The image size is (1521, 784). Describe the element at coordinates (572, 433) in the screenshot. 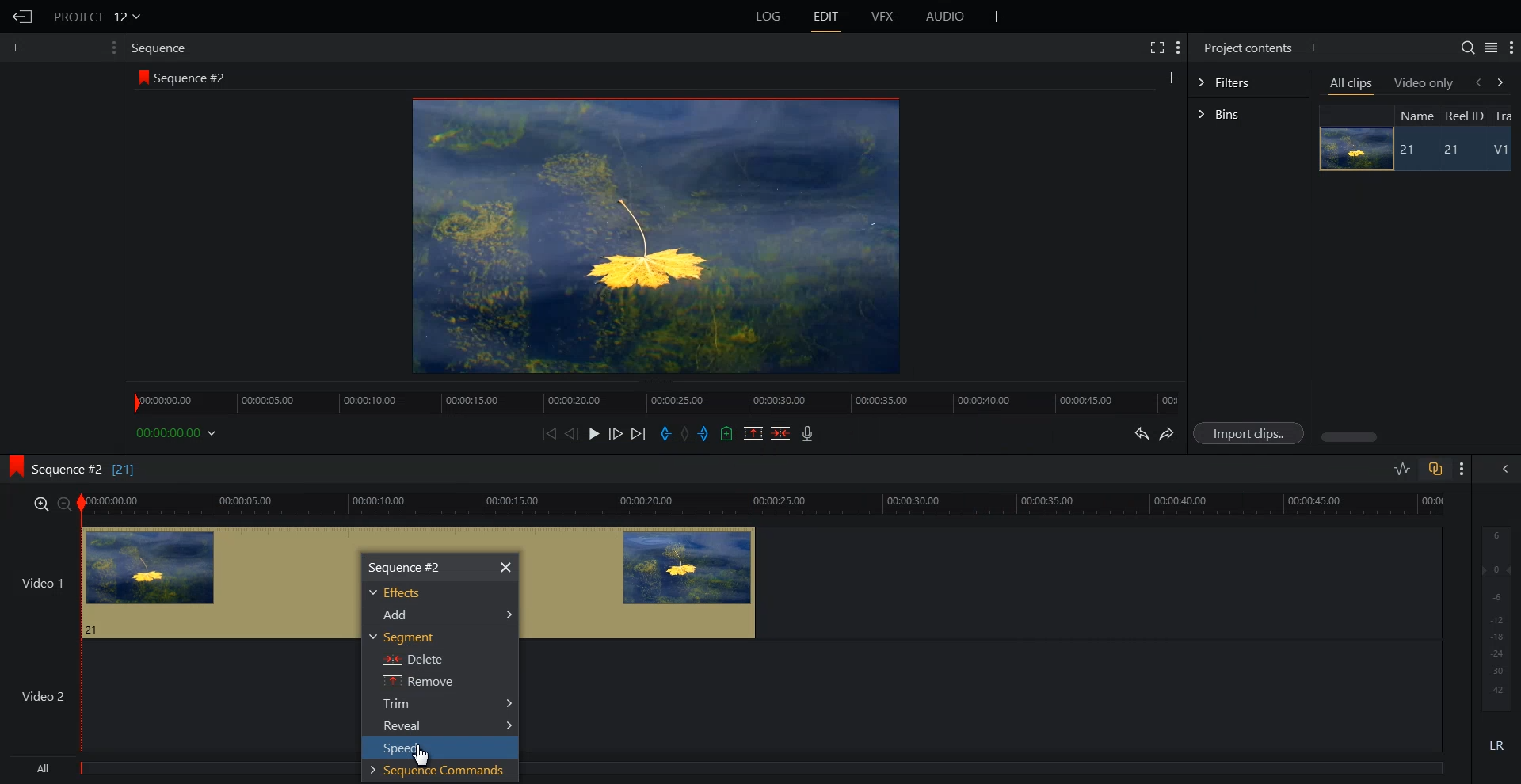

I see `Nurse one frame back` at that location.